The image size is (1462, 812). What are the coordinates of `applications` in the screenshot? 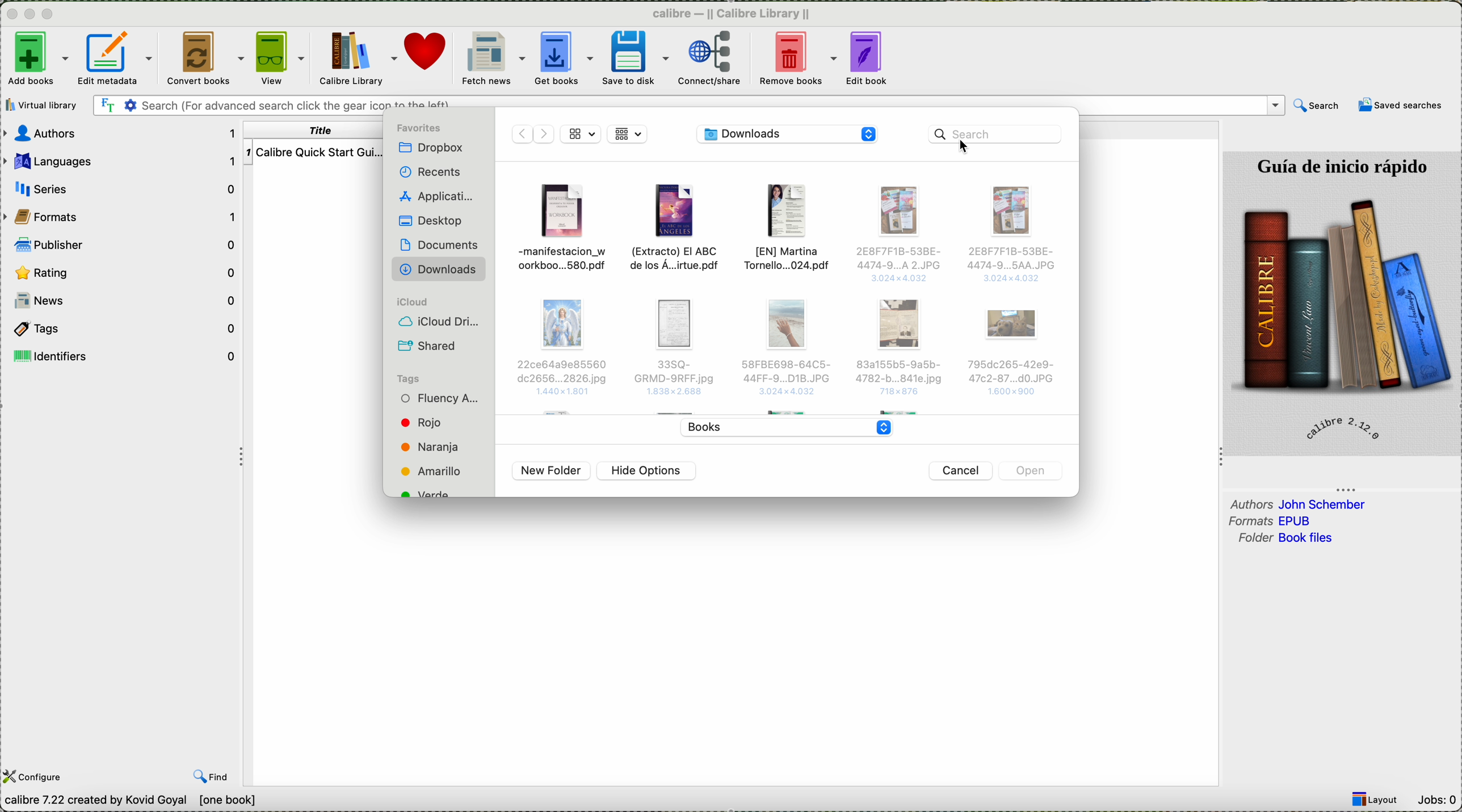 It's located at (439, 197).